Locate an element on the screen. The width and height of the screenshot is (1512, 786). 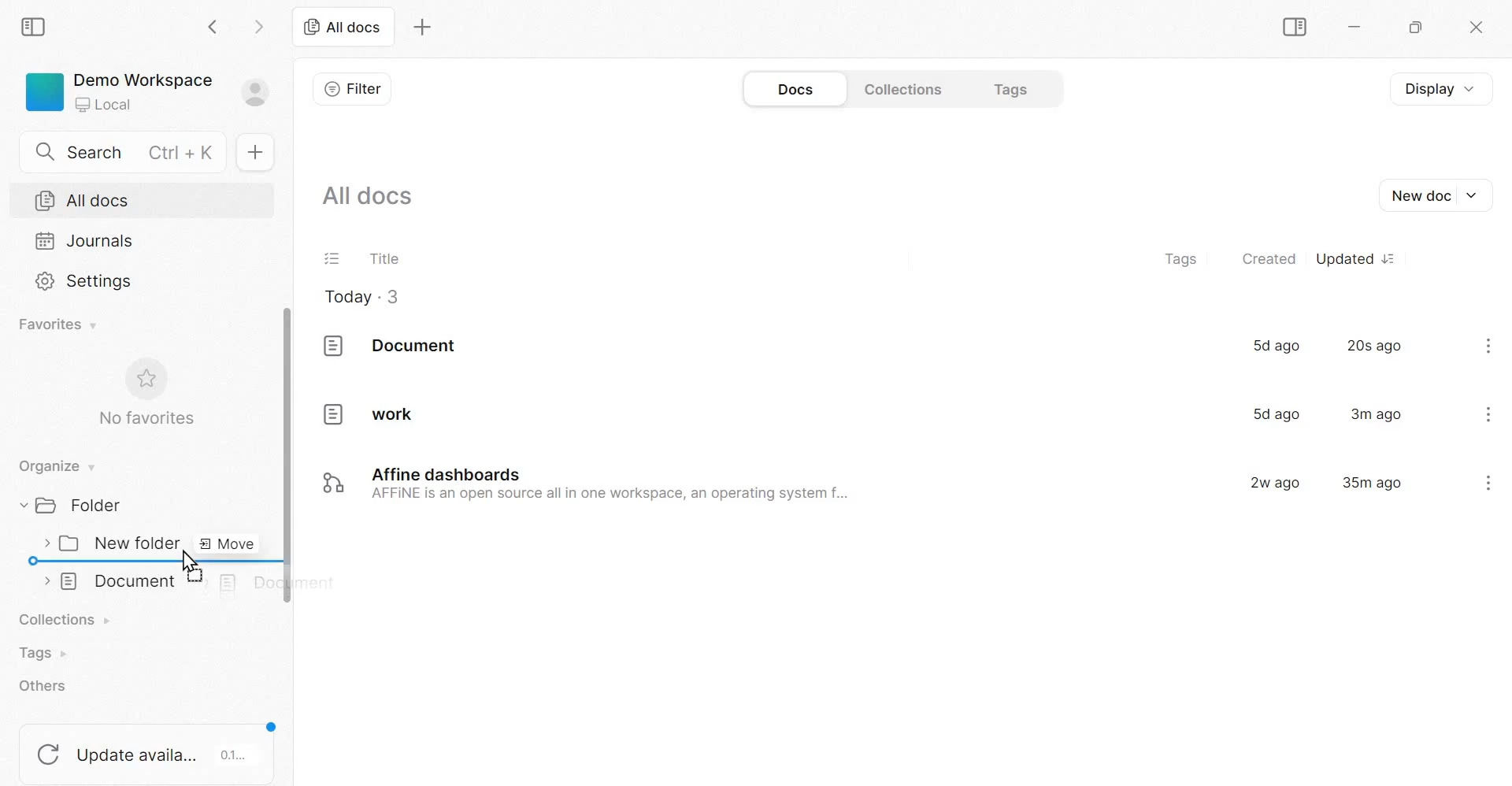
kebab menu is located at coordinates (1489, 346).